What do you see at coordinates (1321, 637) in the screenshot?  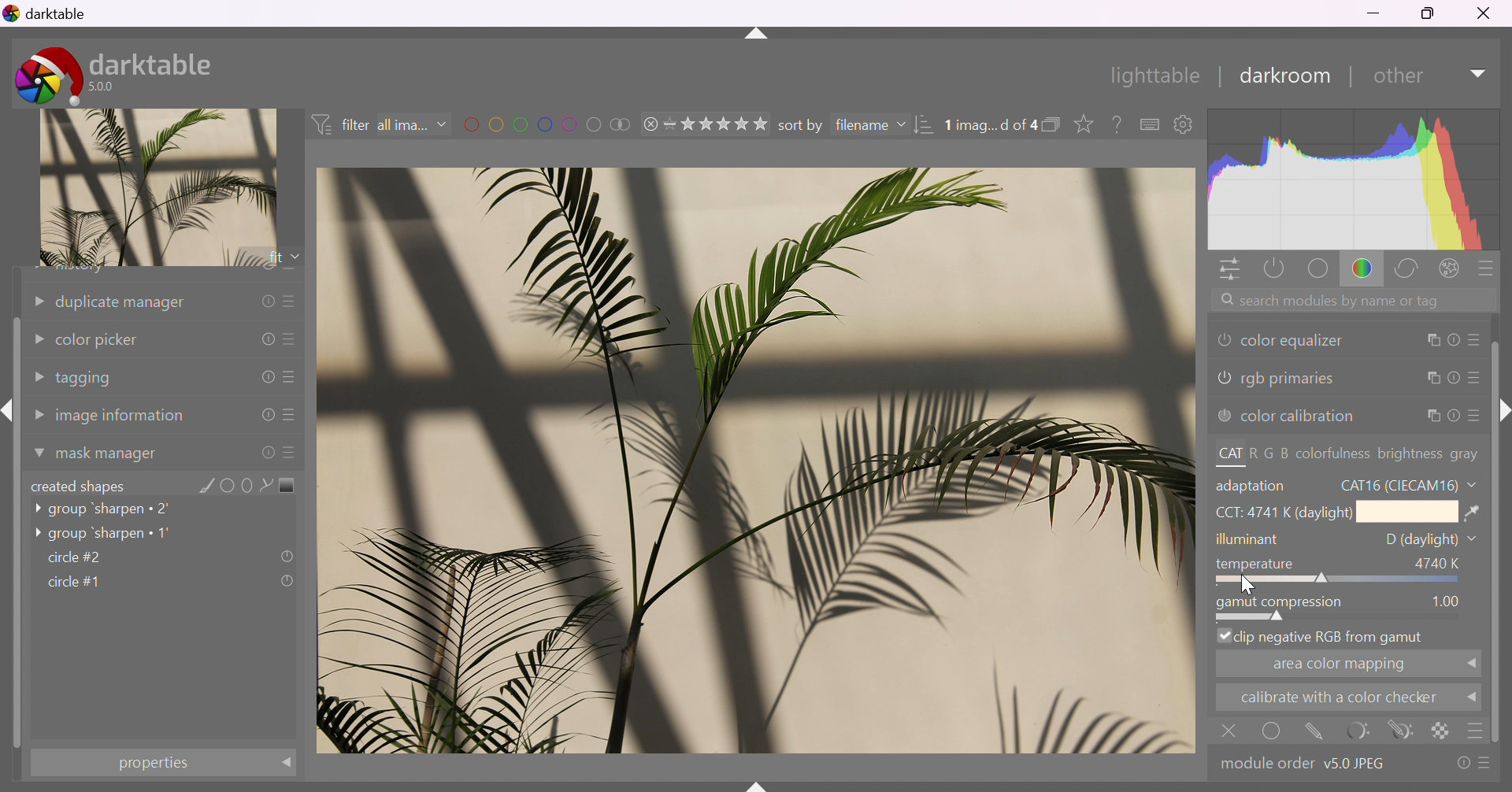 I see `clip negetive RGB` at bounding box center [1321, 637].